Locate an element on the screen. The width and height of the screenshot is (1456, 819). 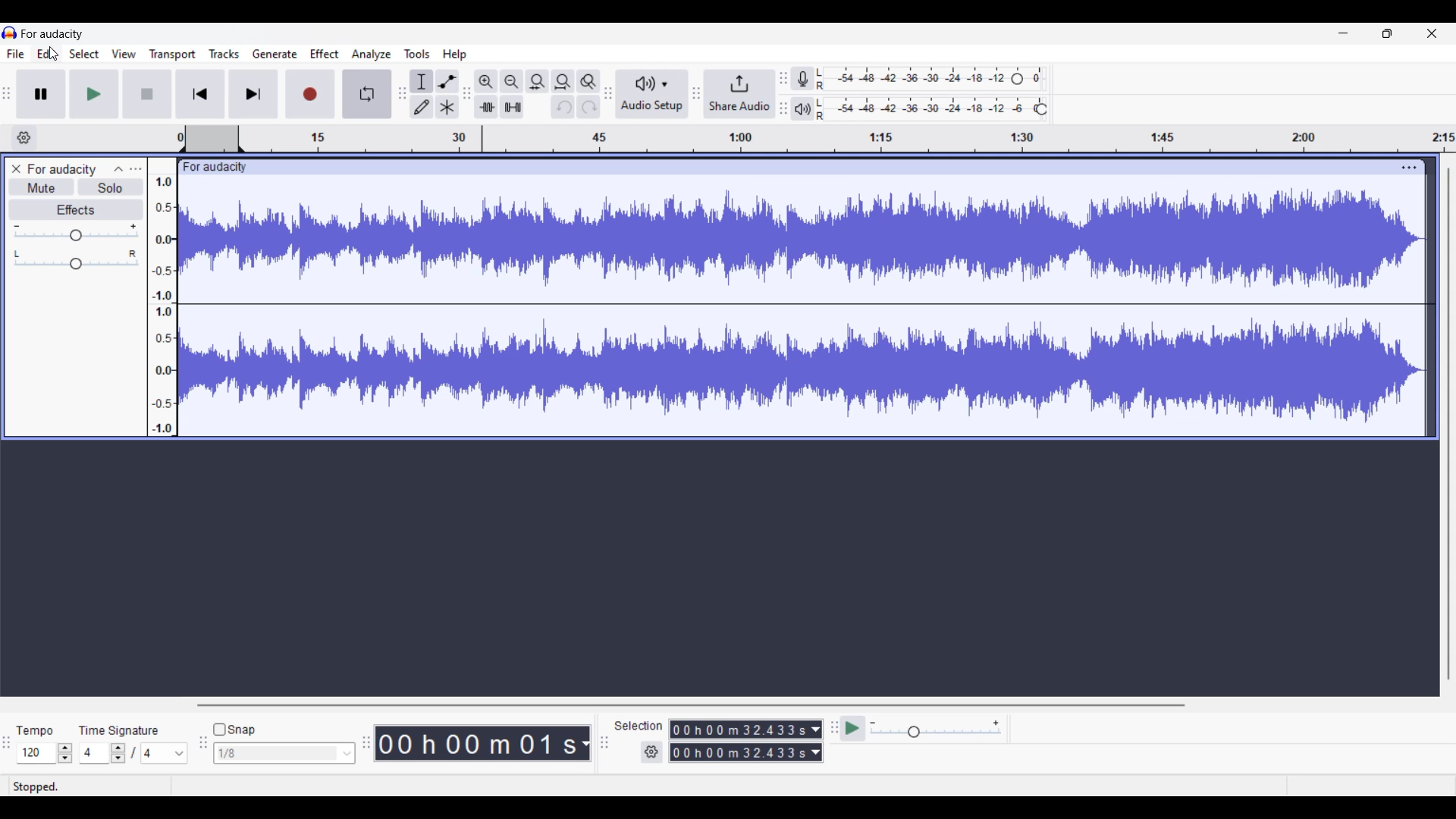
Timeline options is located at coordinates (24, 138).